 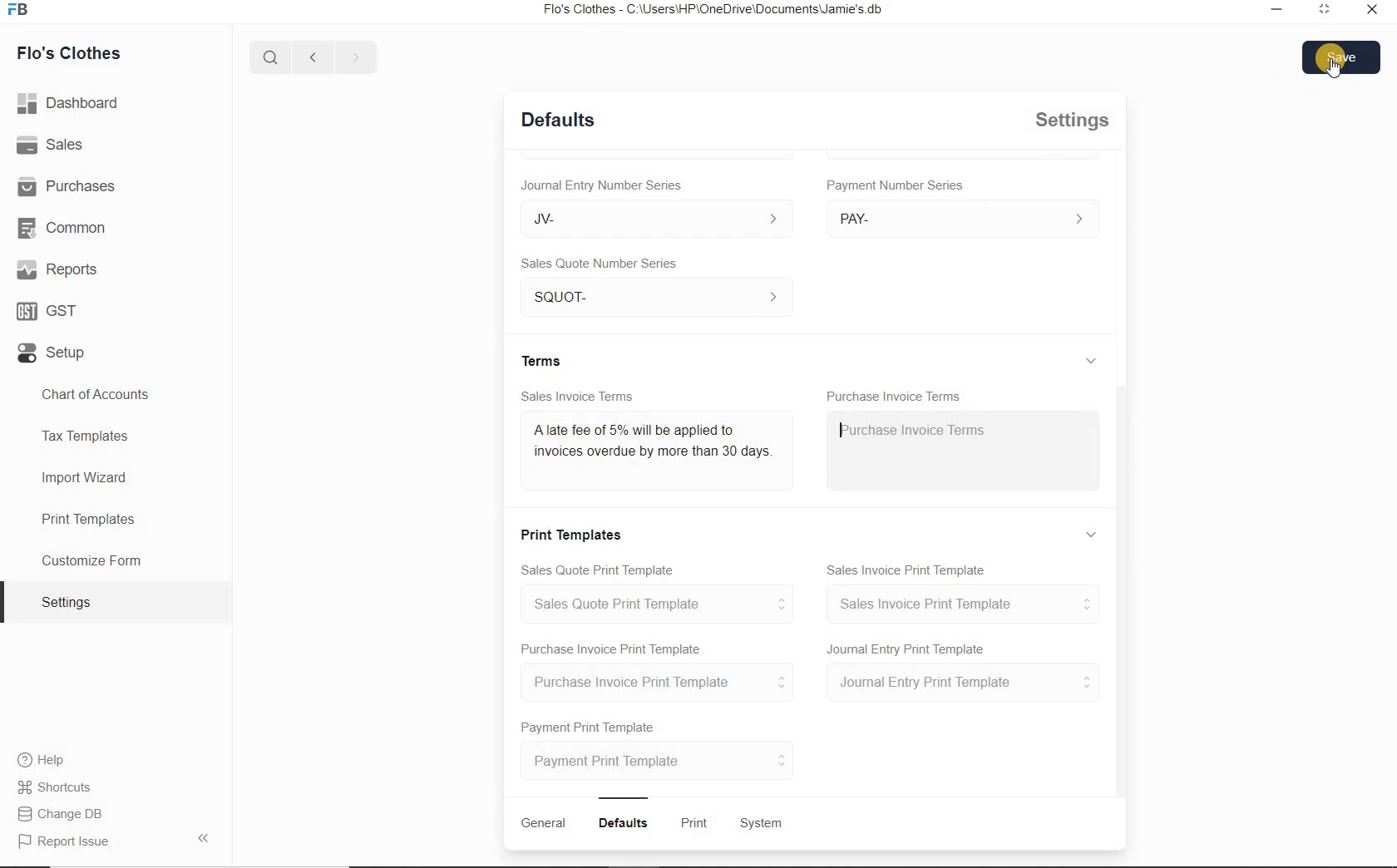 I want to click on Purchase Invoice Print Template, so click(x=610, y=648).